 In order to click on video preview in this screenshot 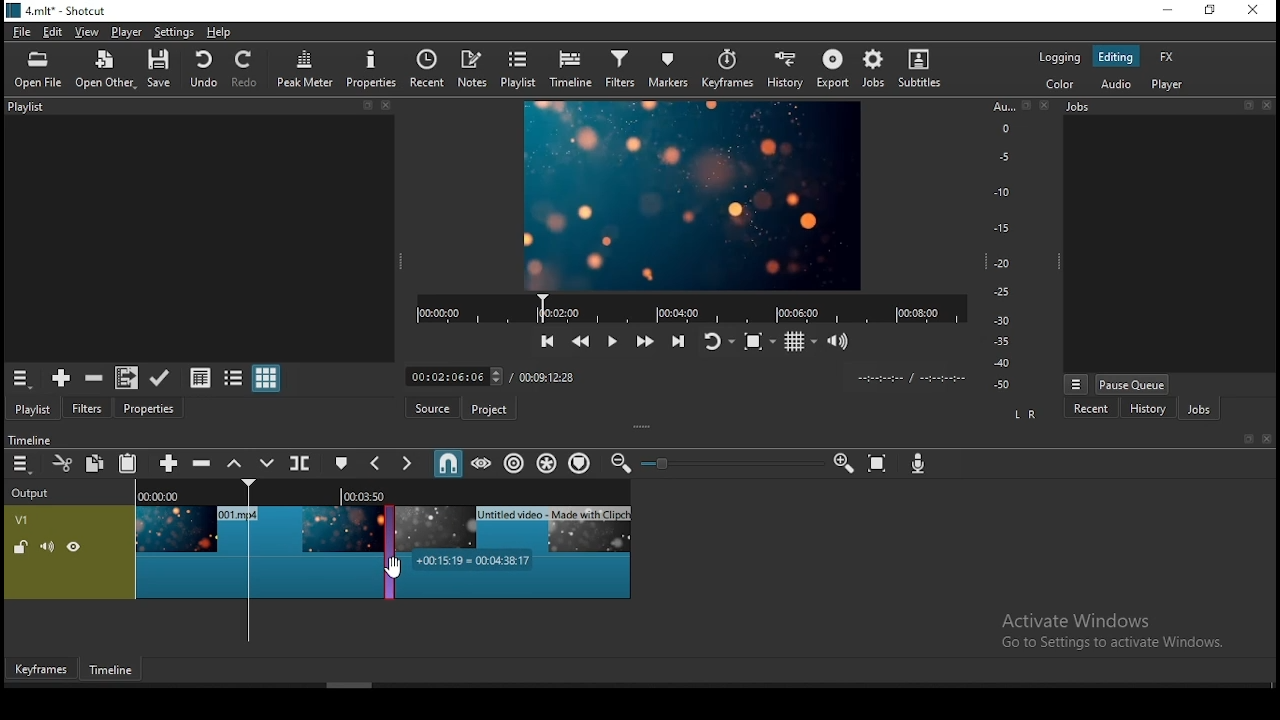, I will do `click(691, 195)`.